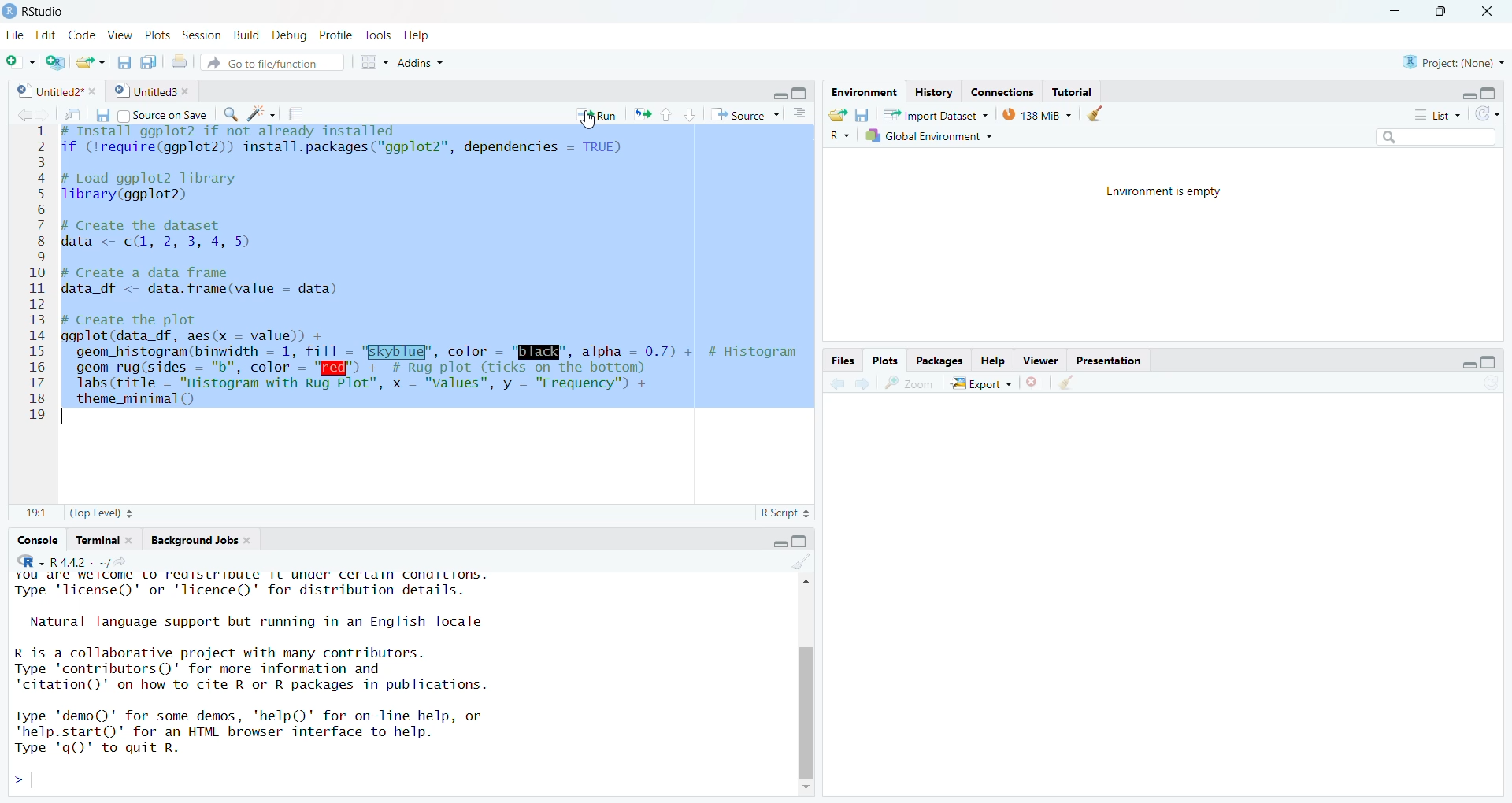  What do you see at coordinates (356, 670) in the screenshot?
I see `YOU dre We ICOM LO FediSLIIDULE TL UNUer Certdin conuiLions.

Type 'license()' or 'licence()' for distribution details.
Natural language support but running in an English locale

R is a collaborative project with many contributors.

Type 'contributors()' for more information and

"citation()' on how to cite R or R packages in publications.

Type 'demo()' for some demos, 'help()' for on-line help, or

'help.start()"' for an HTML browser interface to help.

Type 'qO)' to quit R.

>` at bounding box center [356, 670].